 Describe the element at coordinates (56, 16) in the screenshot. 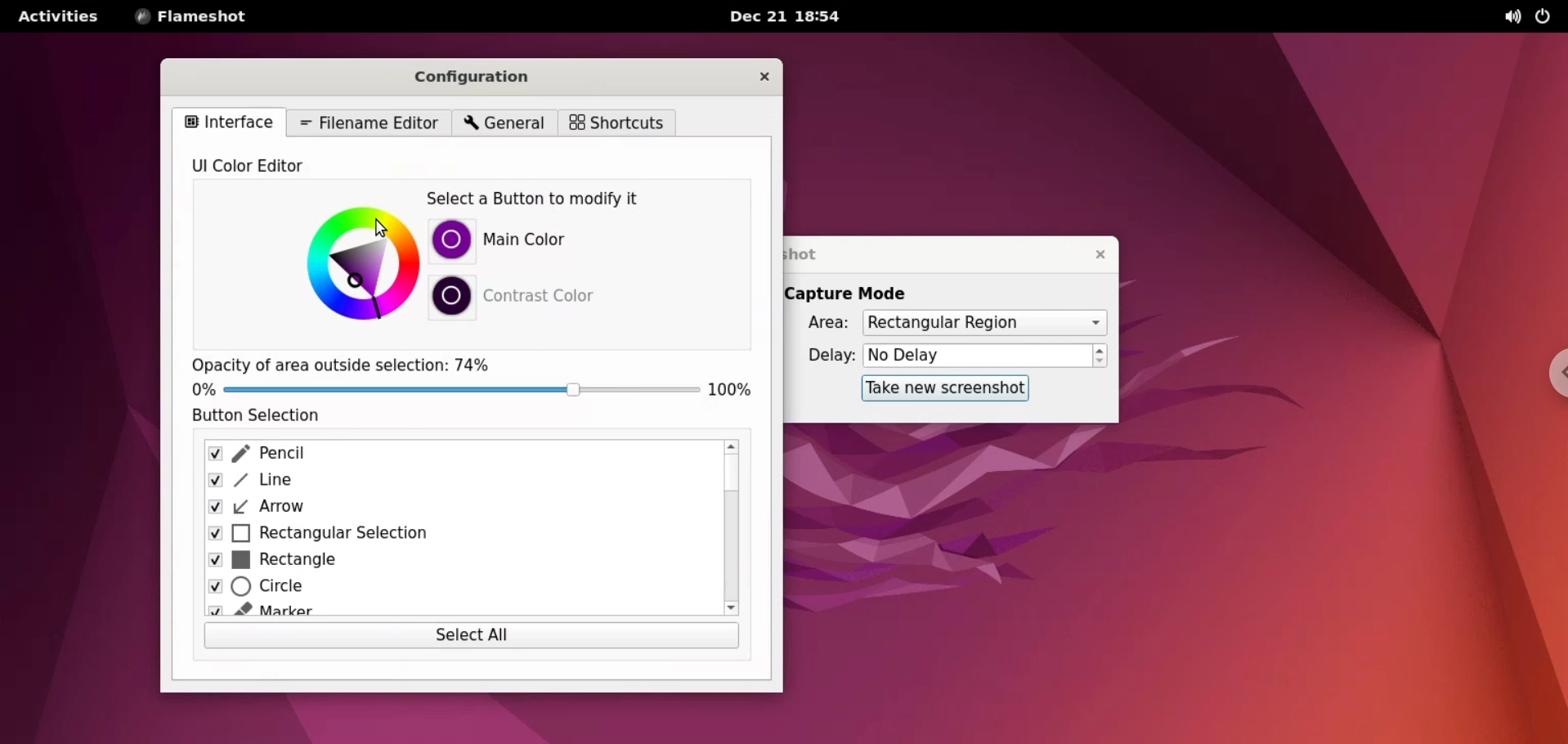

I see `activities ` at that location.